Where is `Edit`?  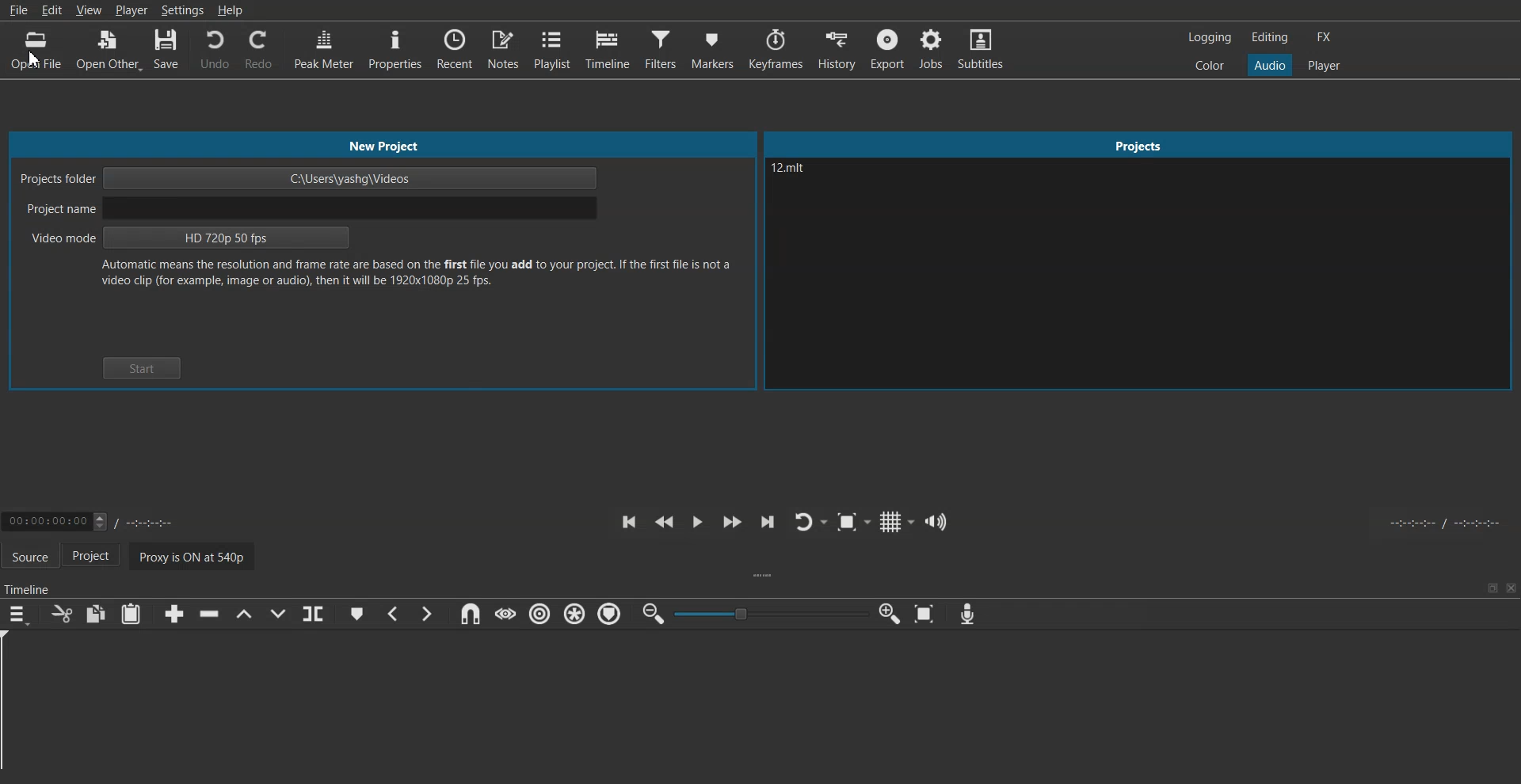
Edit is located at coordinates (52, 11).